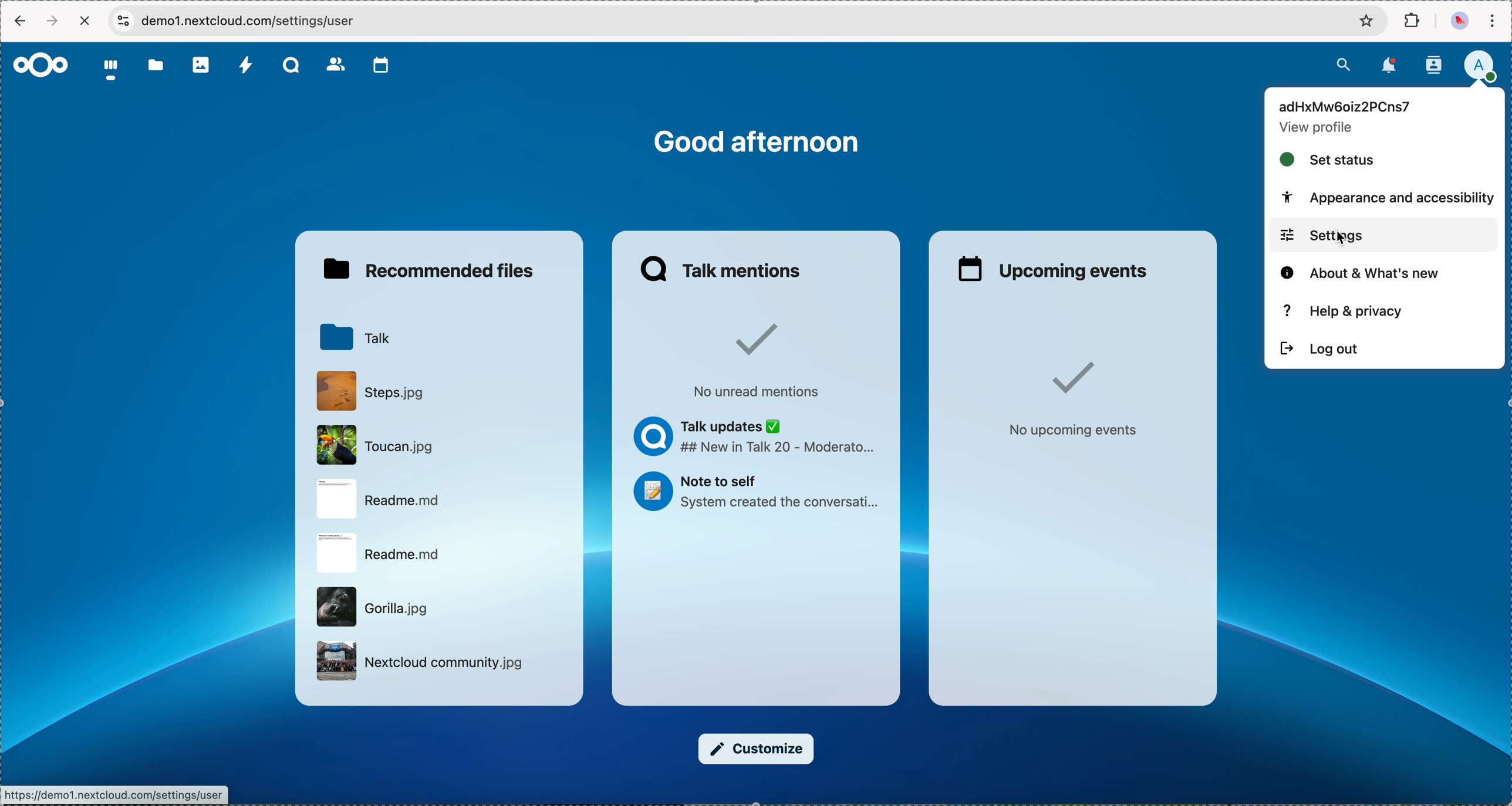  Describe the element at coordinates (86, 21) in the screenshot. I see `refresh the page` at that location.